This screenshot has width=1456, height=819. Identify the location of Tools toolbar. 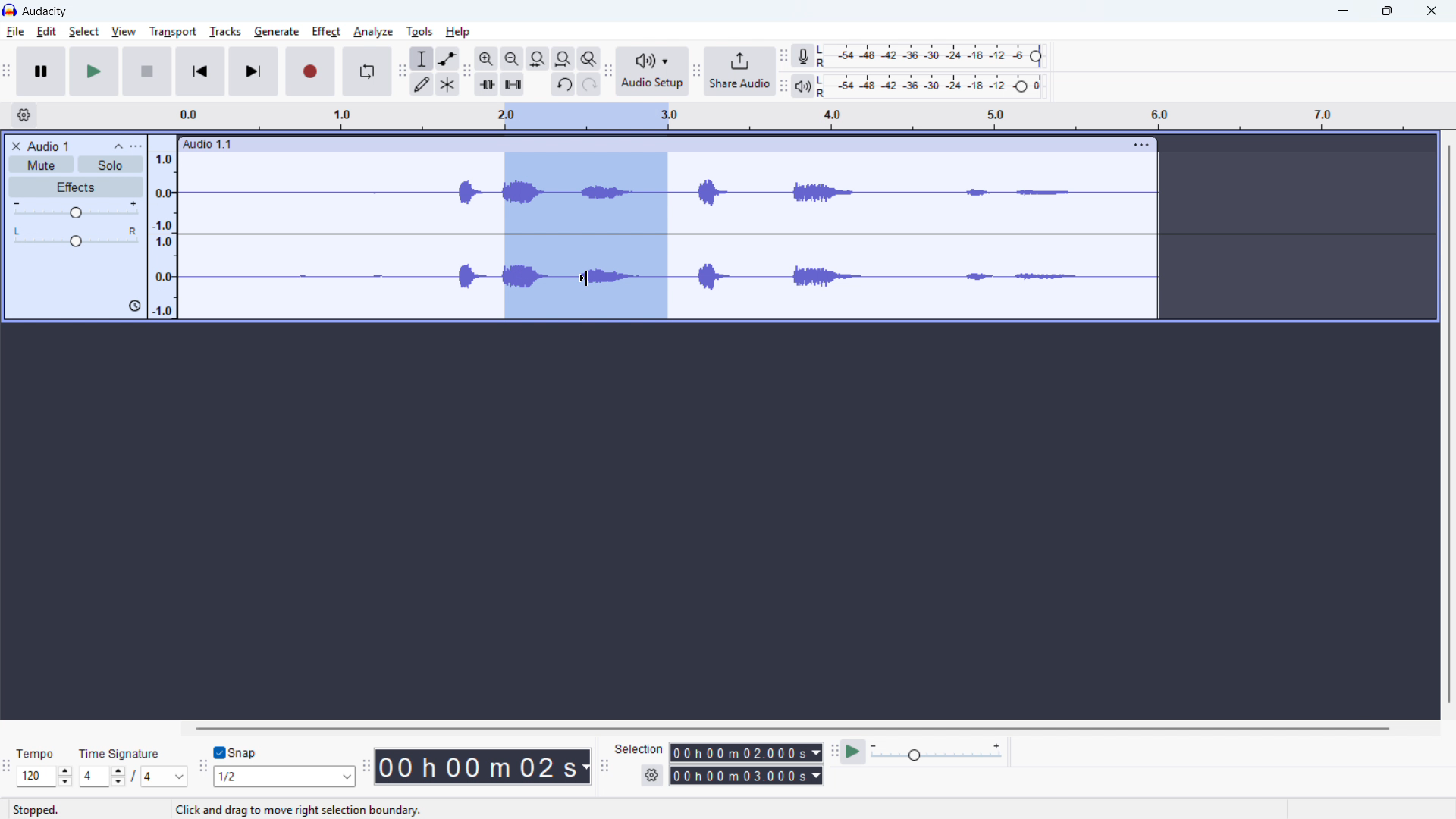
(403, 72).